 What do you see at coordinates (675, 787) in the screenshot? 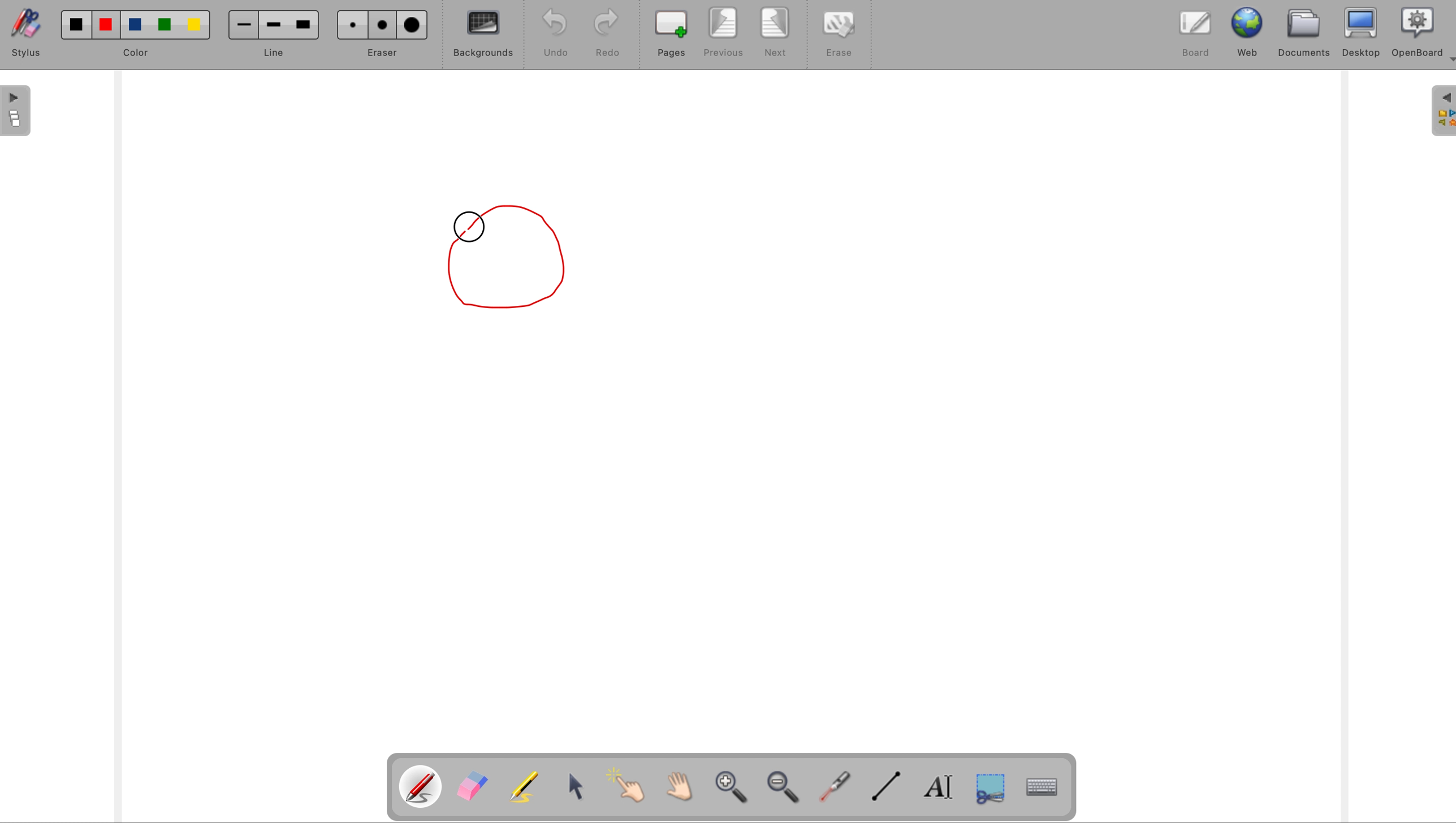
I see `scroll by hand` at bounding box center [675, 787].